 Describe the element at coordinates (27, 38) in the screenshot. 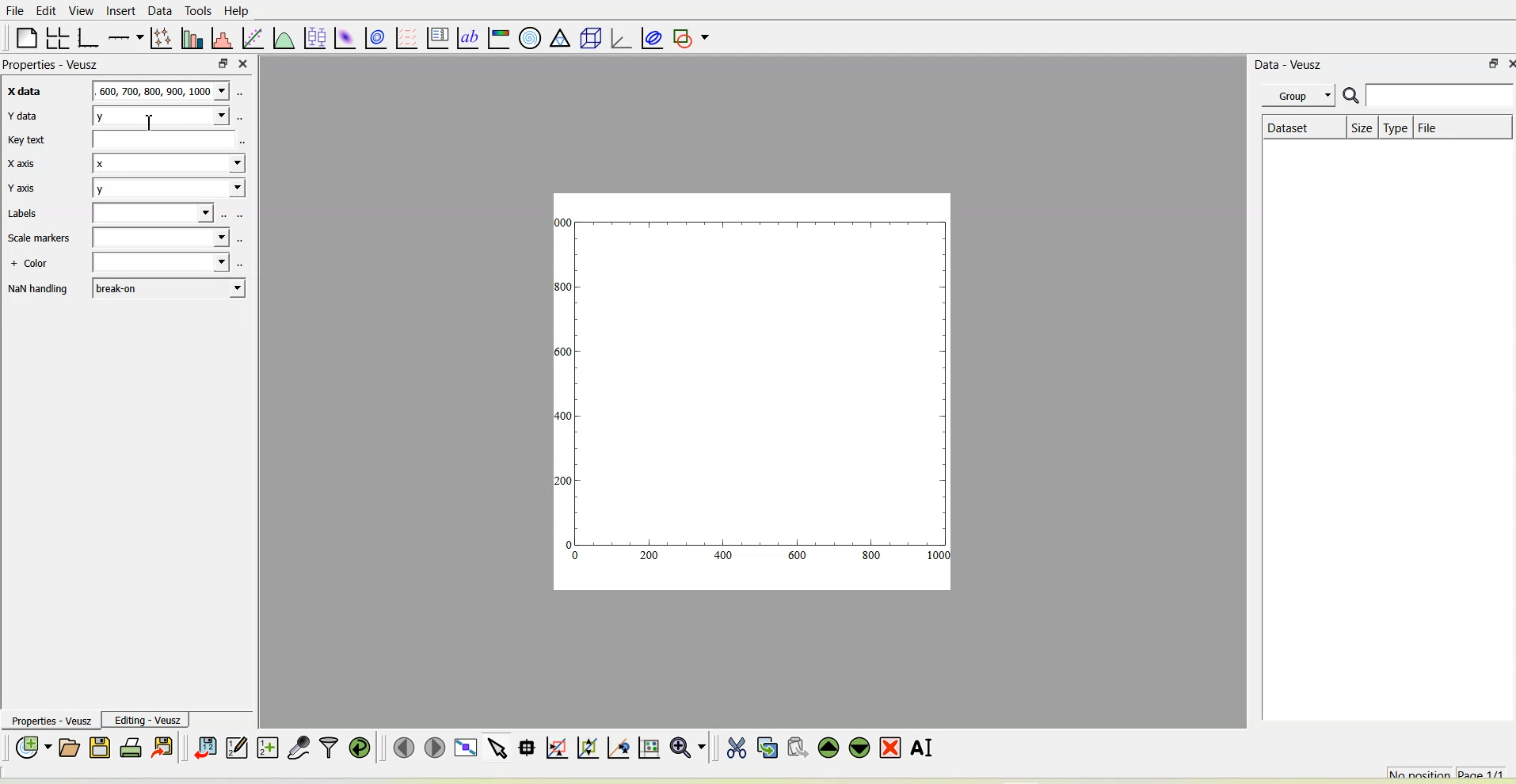

I see `Blank page` at that location.